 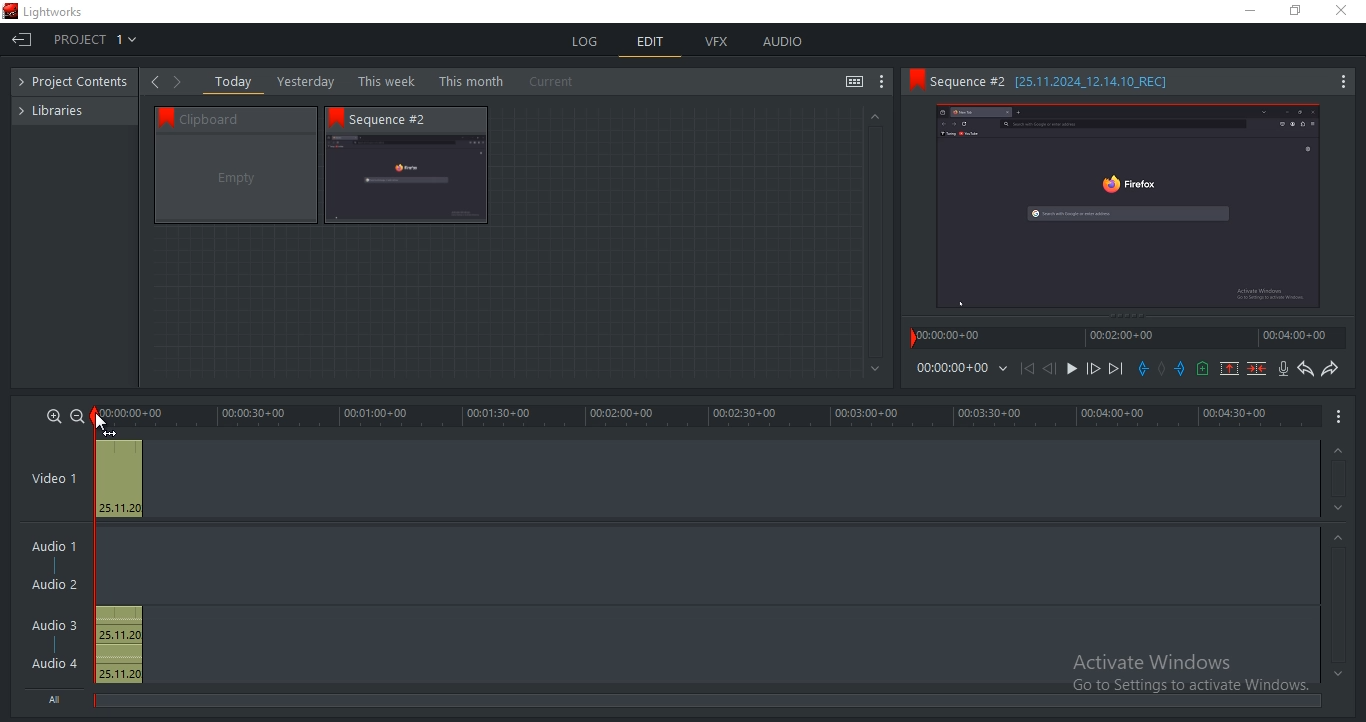 What do you see at coordinates (1091, 369) in the screenshot?
I see `Nudge one frame forward` at bounding box center [1091, 369].